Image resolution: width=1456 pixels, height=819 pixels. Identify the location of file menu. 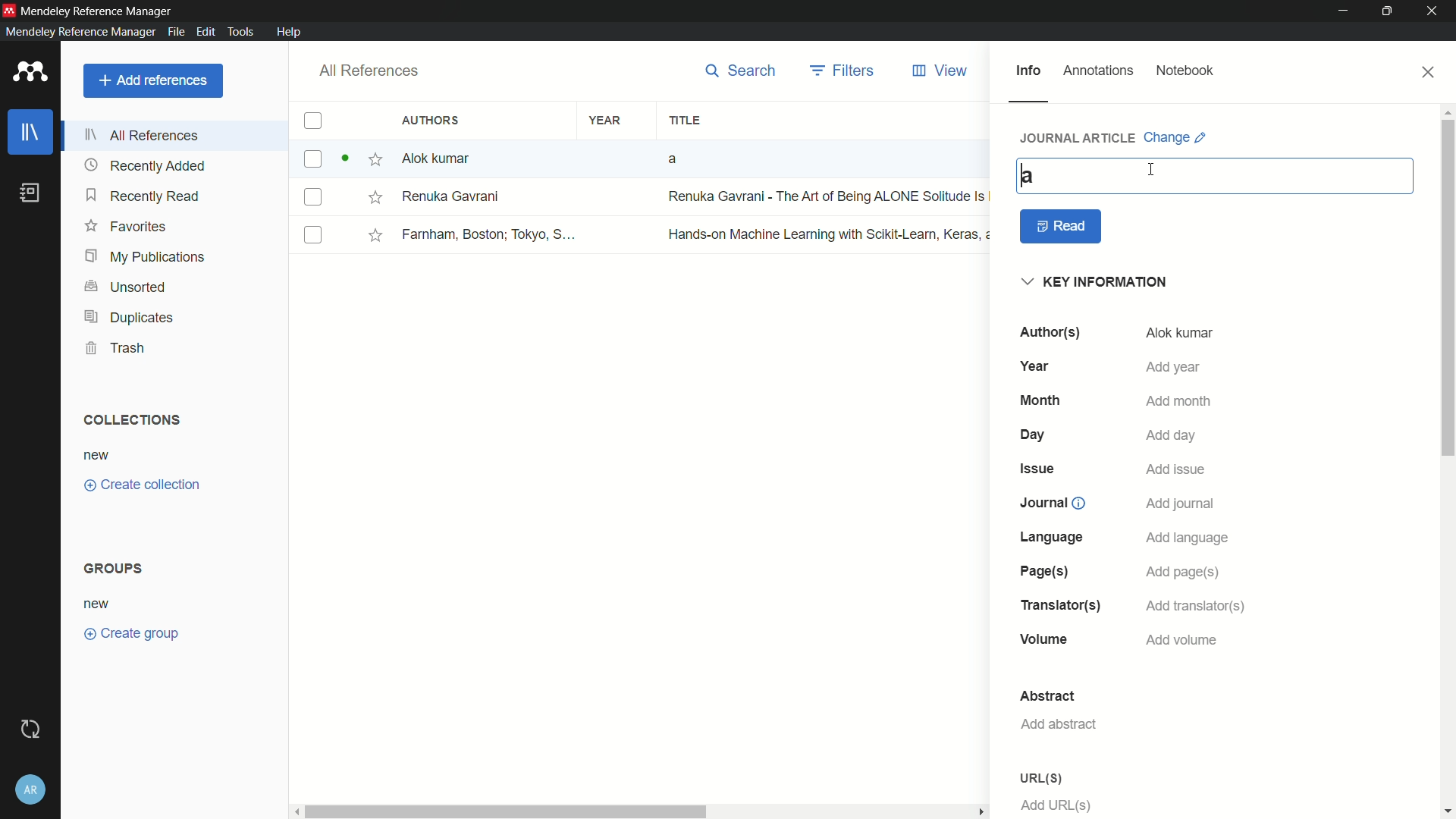
(174, 31).